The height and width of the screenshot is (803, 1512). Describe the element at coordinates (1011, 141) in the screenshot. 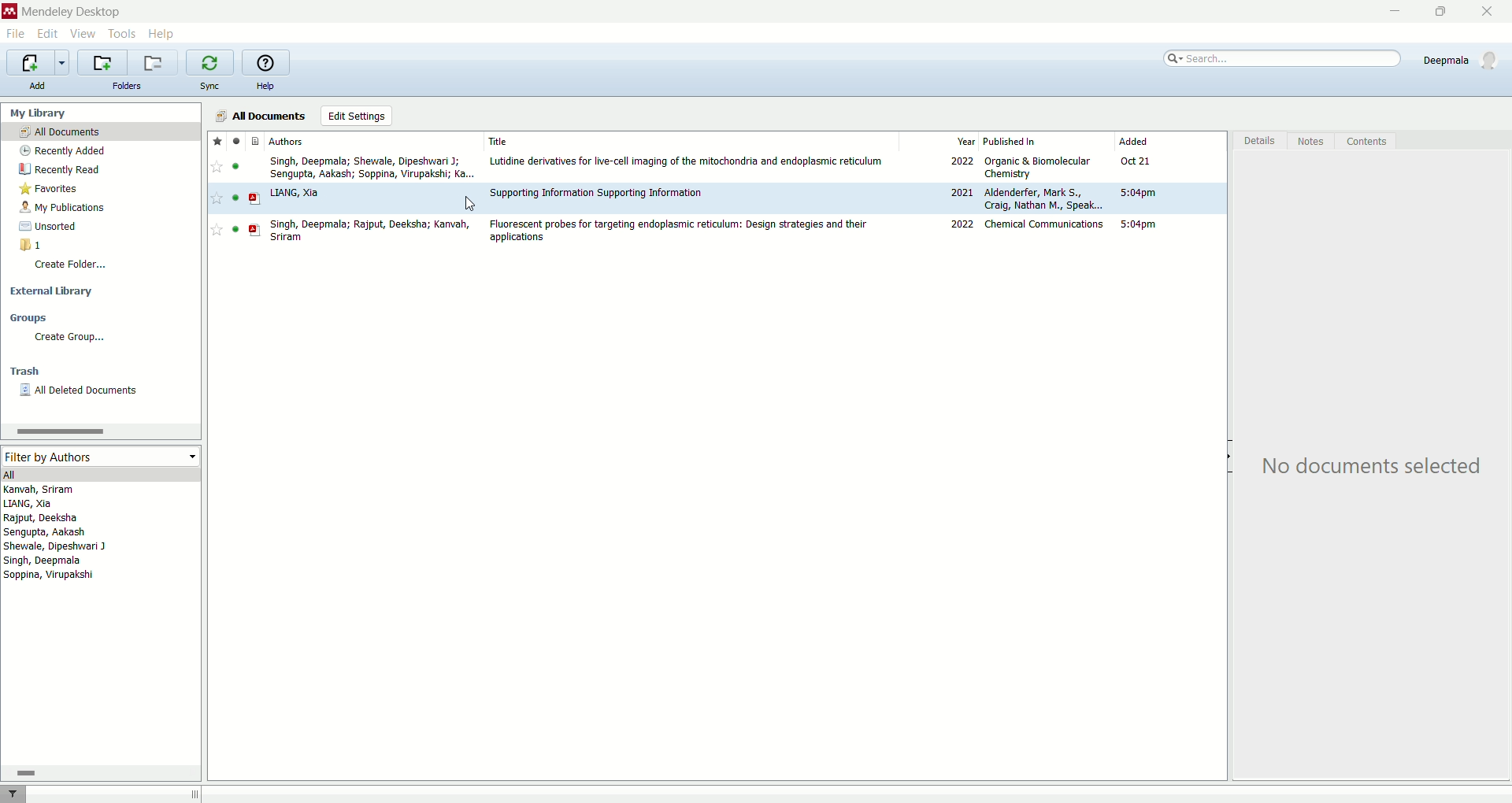

I see `published in` at that location.